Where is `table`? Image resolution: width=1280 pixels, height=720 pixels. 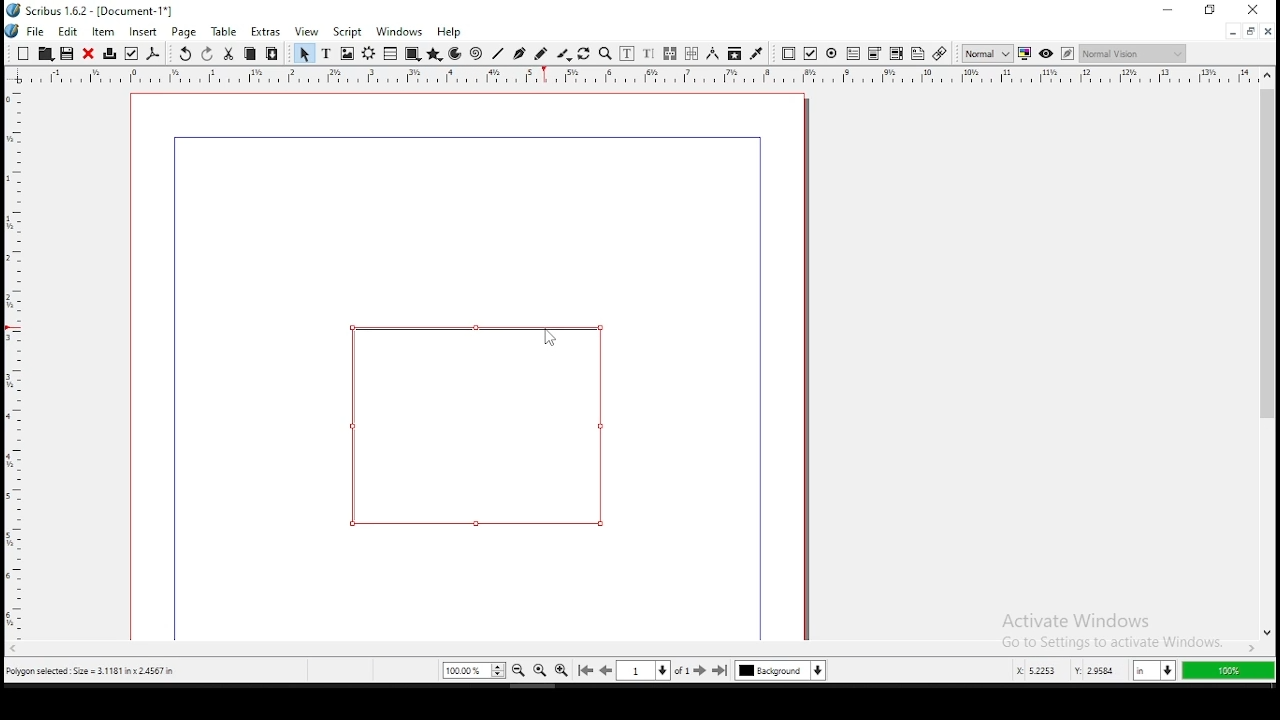
table is located at coordinates (225, 32).